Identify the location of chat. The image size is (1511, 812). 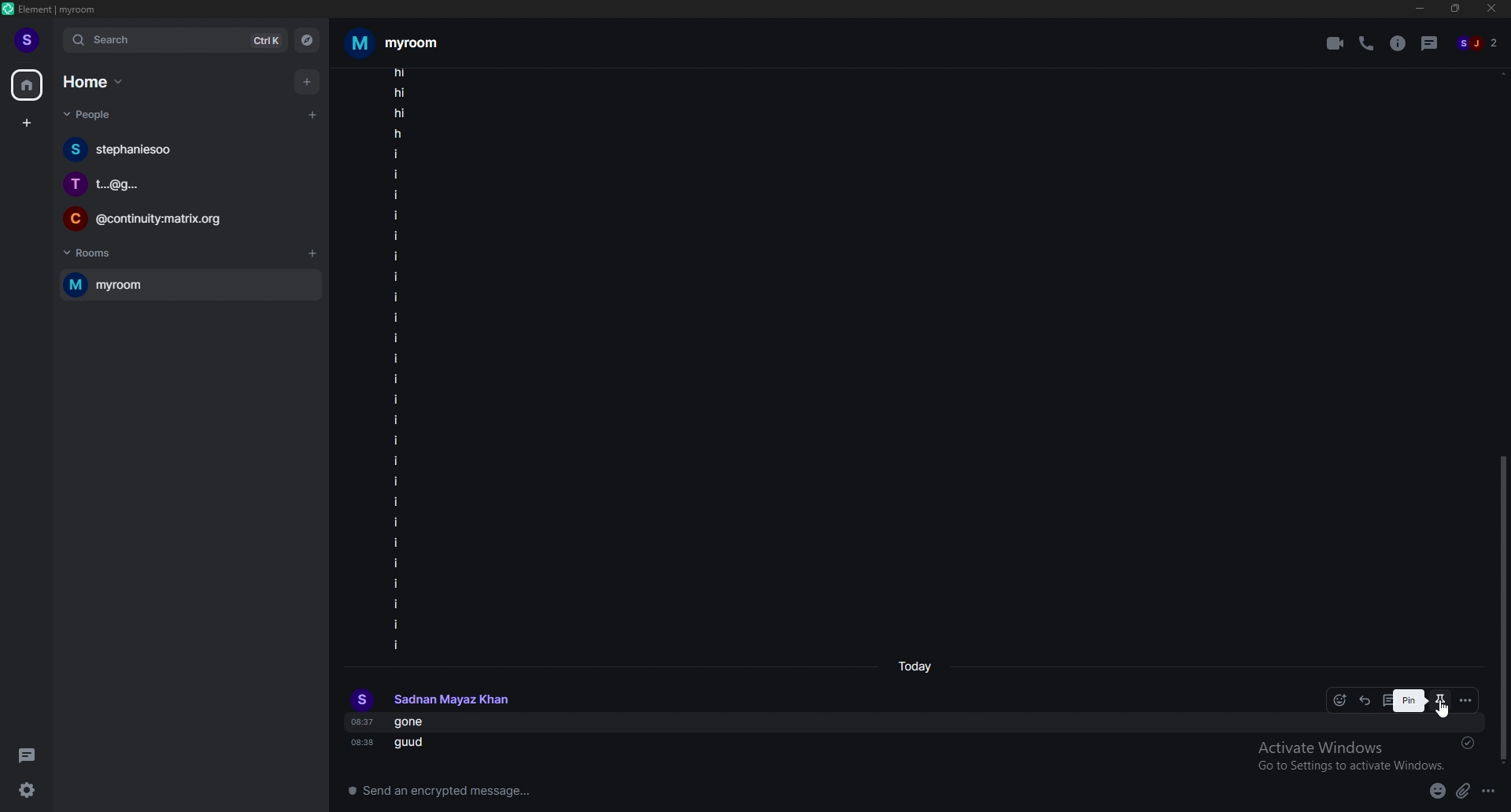
(188, 149).